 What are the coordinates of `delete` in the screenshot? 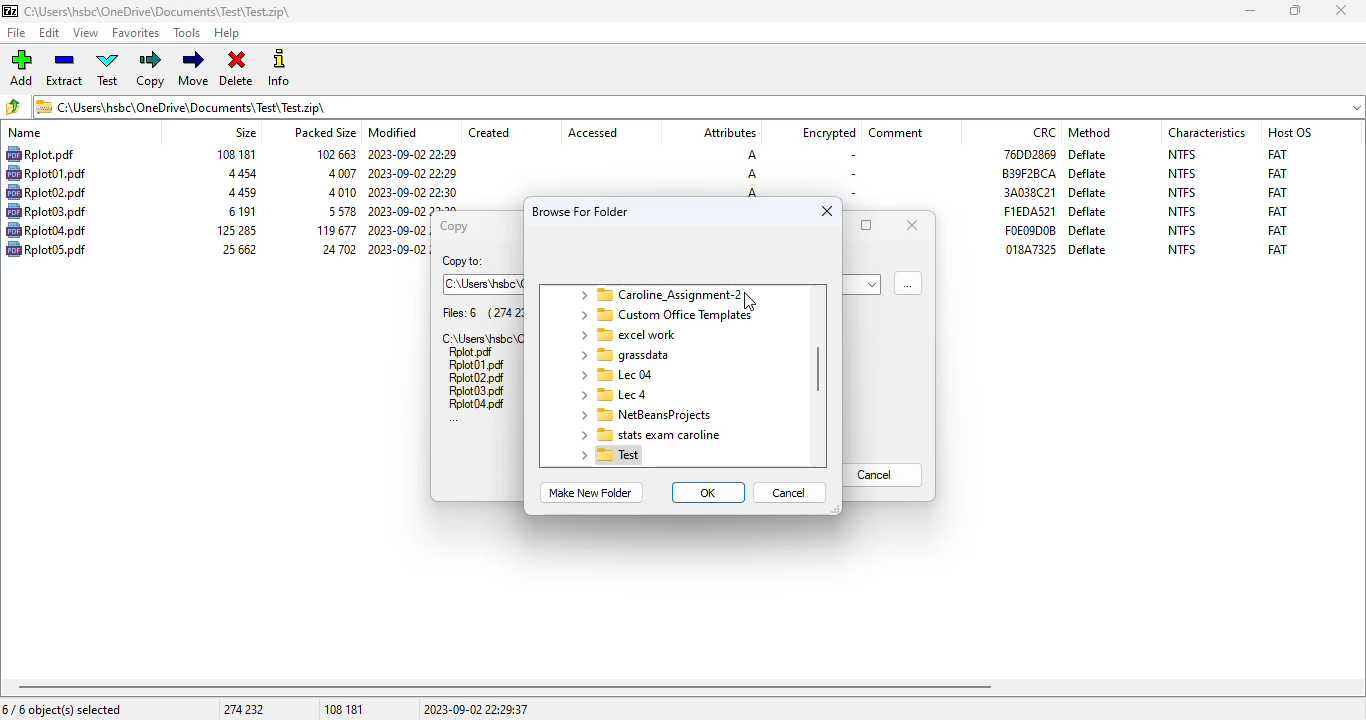 It's located at (236, 69).